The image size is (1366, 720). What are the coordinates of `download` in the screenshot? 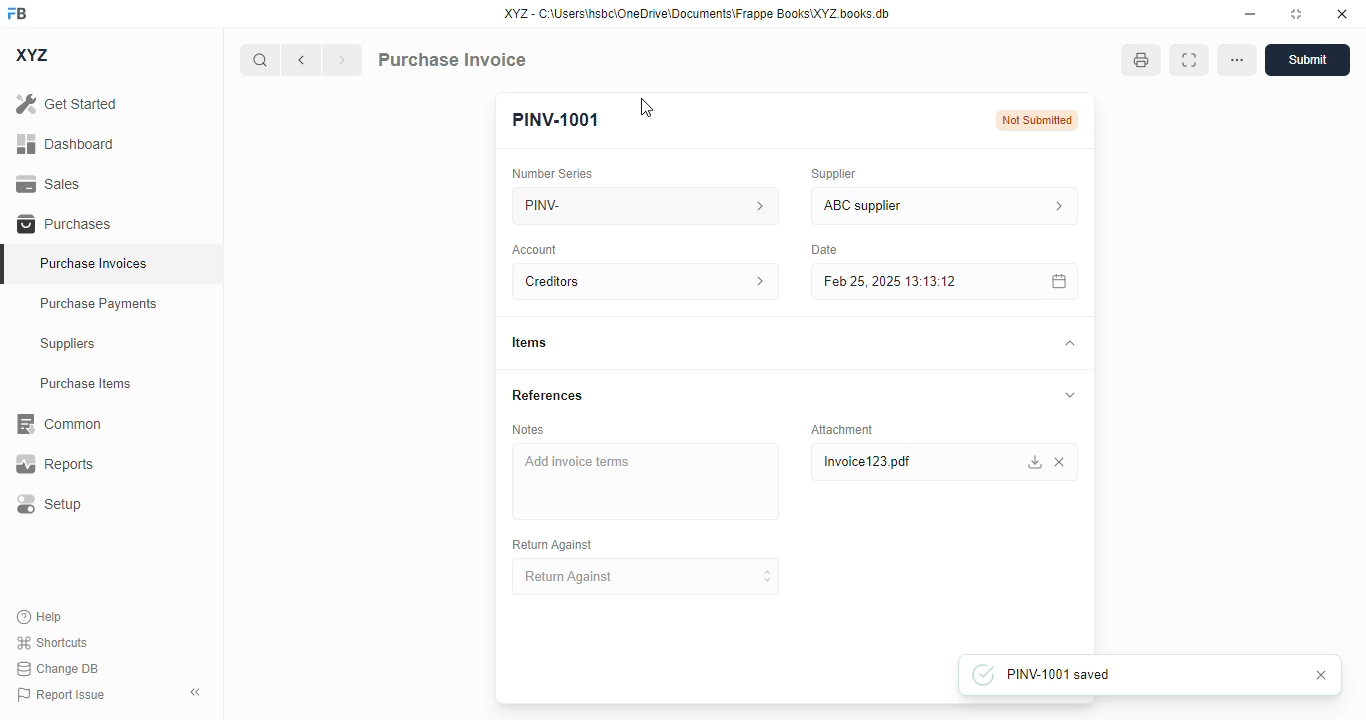 It's located at (1033, 462).